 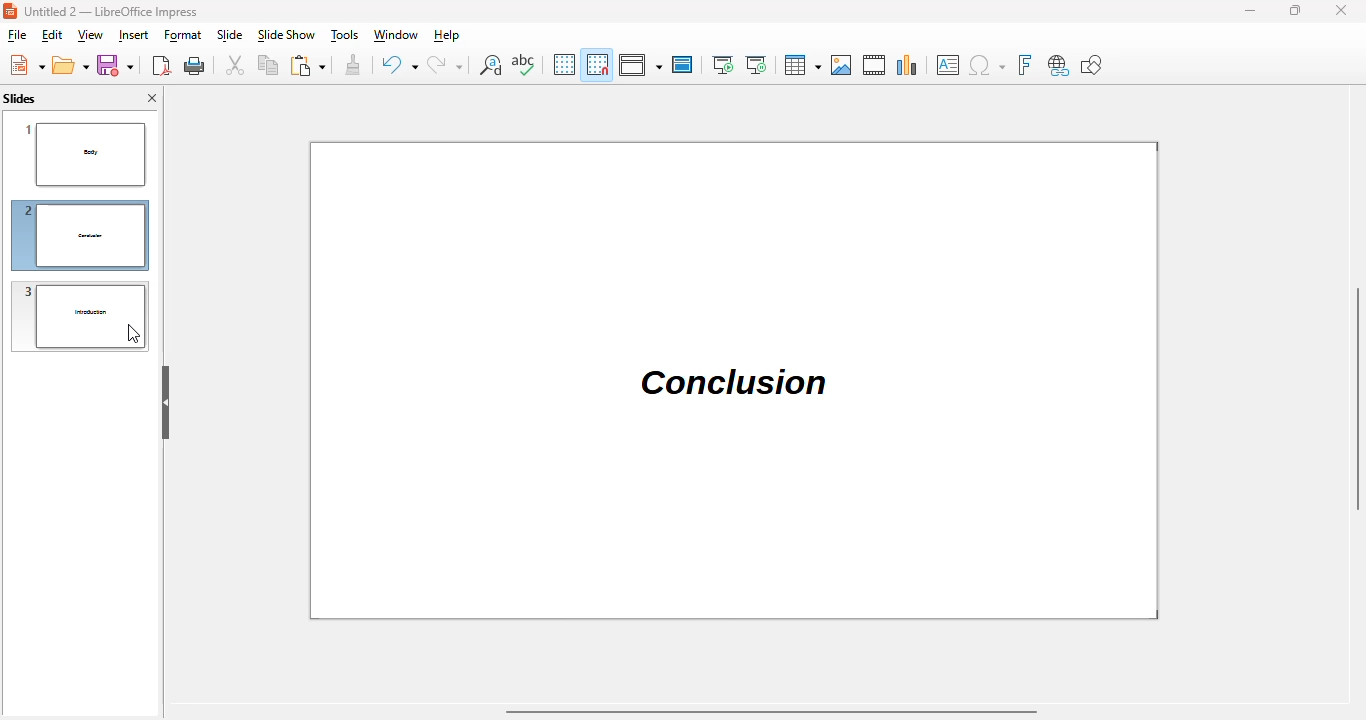 I want to click on slide 2, so click(x=736, y=380).